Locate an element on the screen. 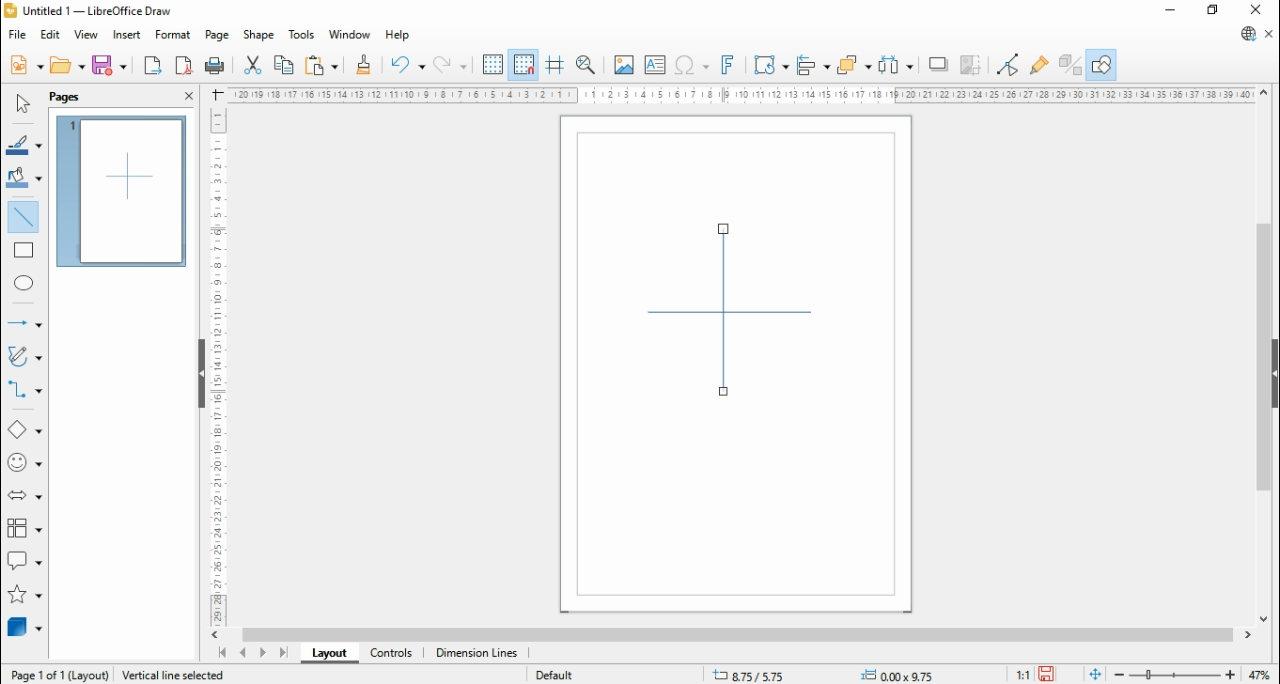 The image size is (1280, 684). undo is located at coordinates (406, 64).